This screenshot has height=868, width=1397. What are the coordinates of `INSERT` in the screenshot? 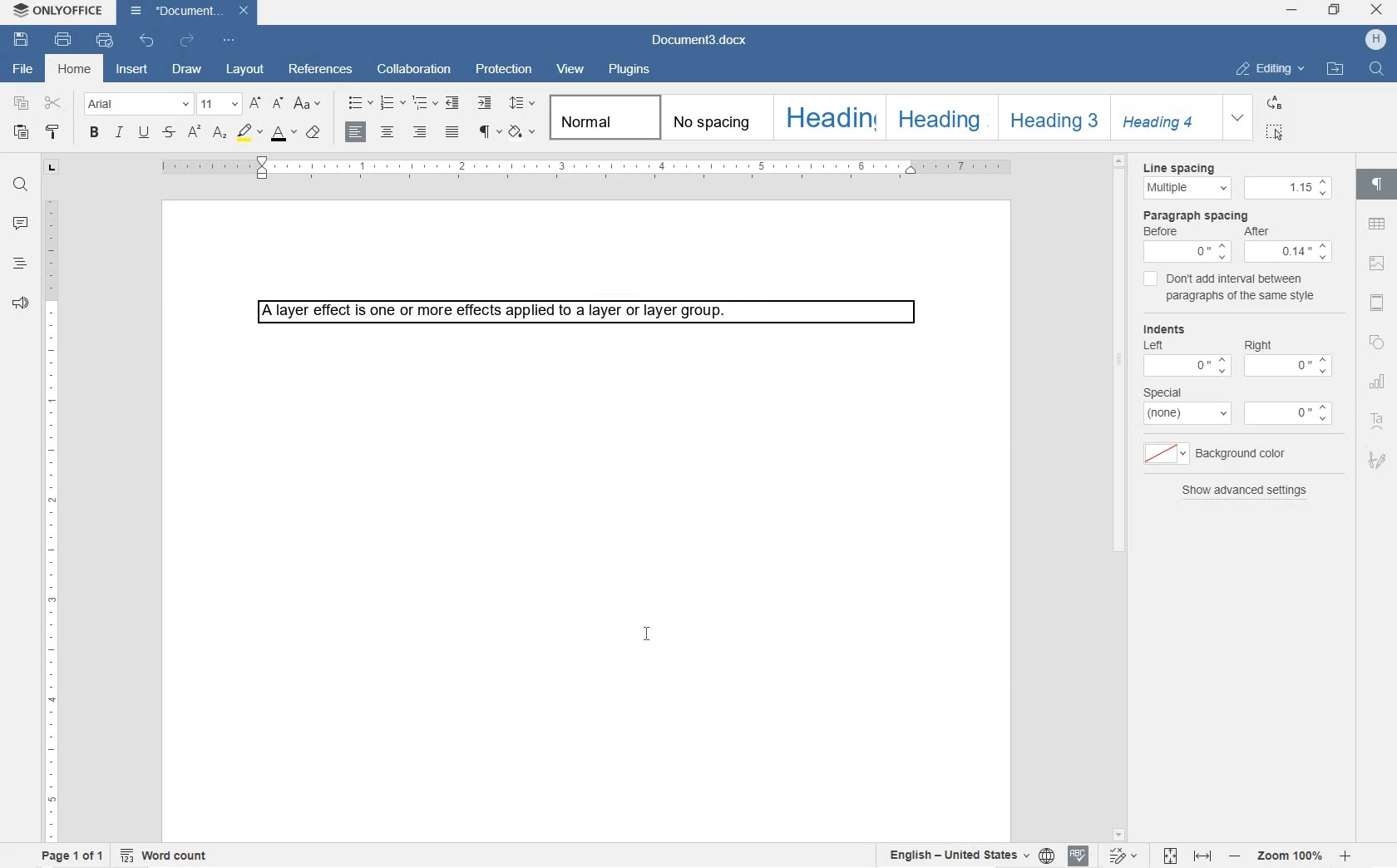 It's located at (132, 70).